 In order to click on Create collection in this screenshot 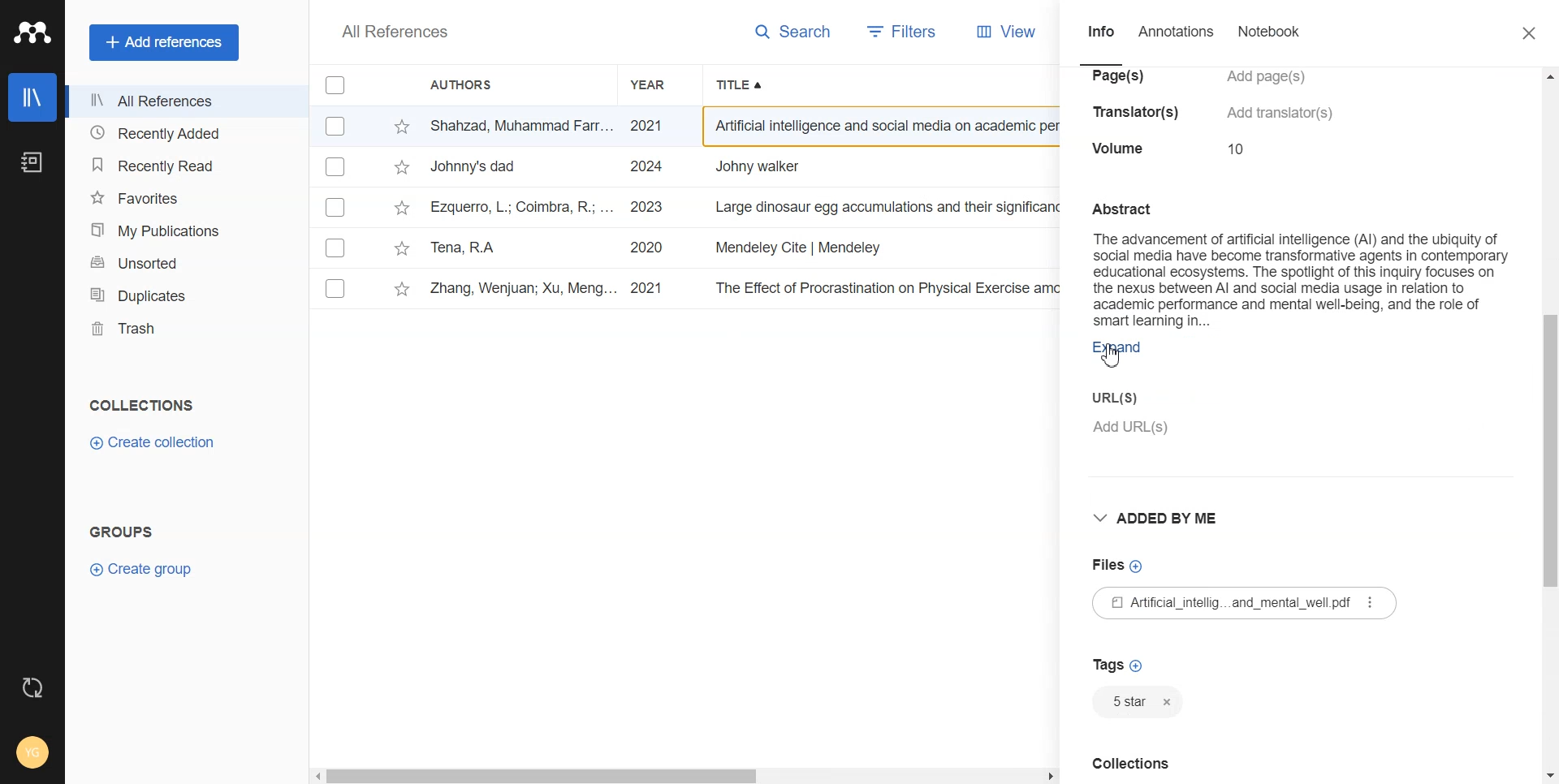, I will do `click(152, 442)`.